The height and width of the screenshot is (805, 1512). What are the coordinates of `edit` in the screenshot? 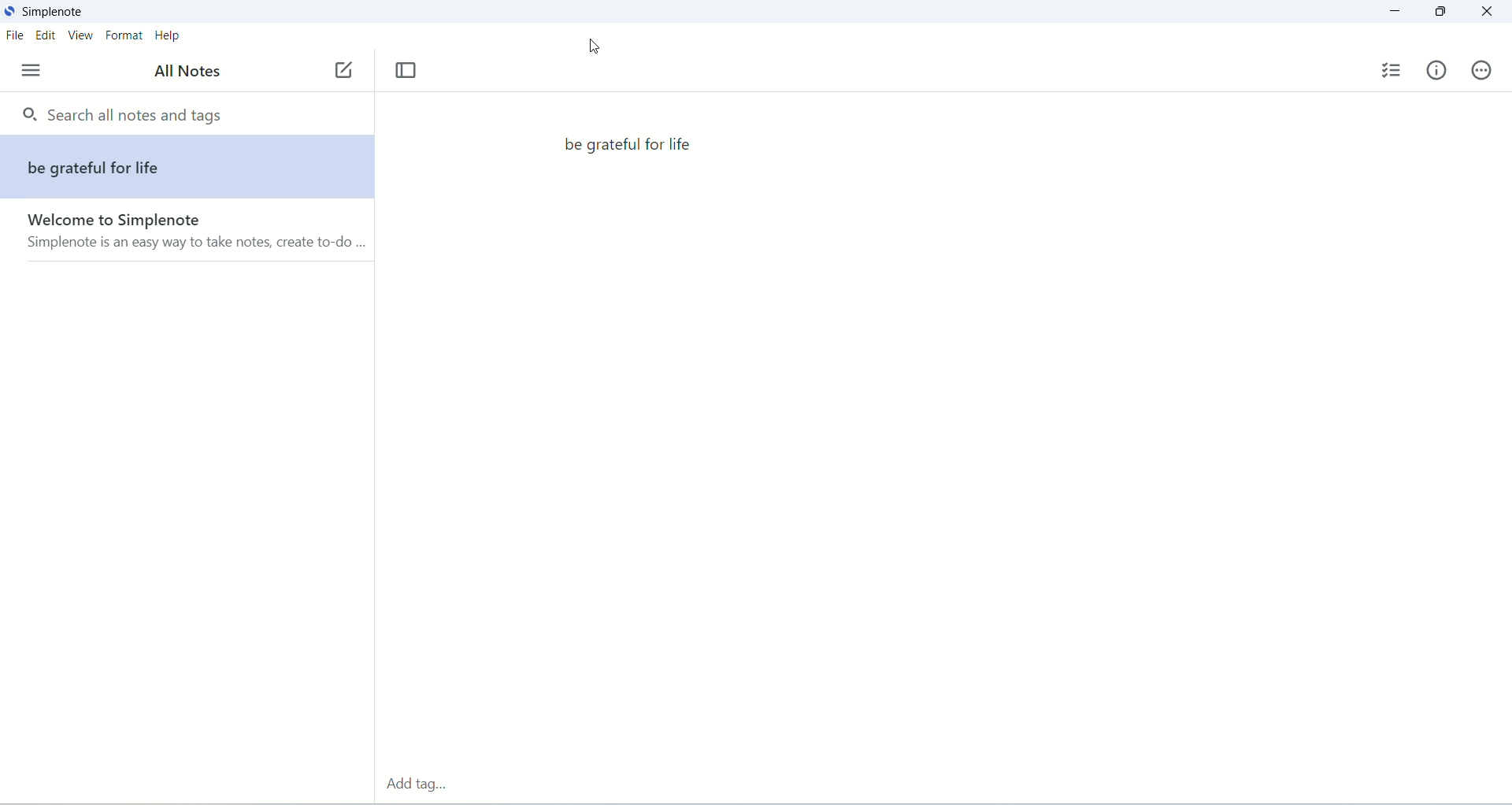 It's located at (48, 36).